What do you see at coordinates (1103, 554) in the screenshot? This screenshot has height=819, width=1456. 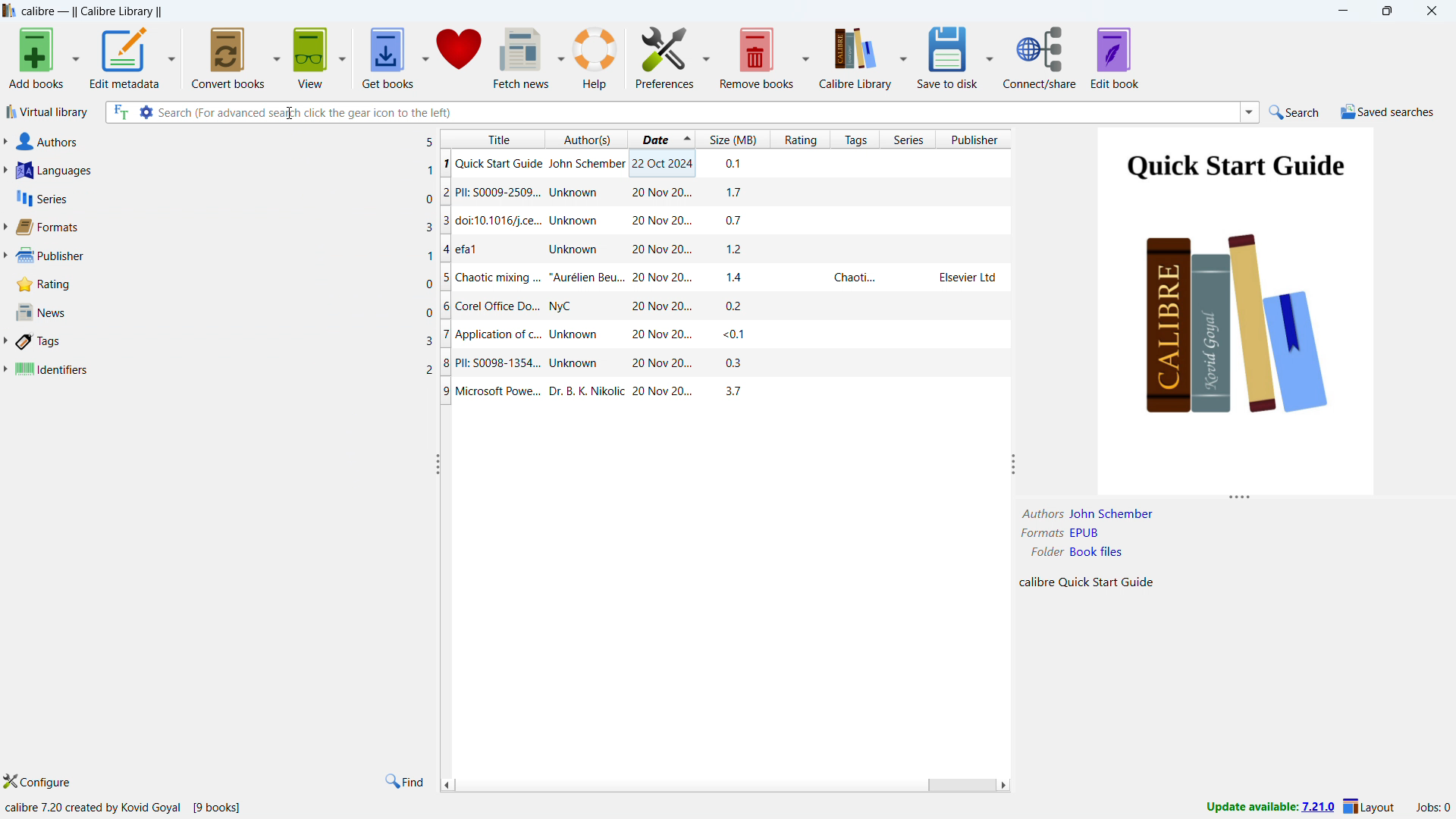 I see `Book FIles` at bounding box center [1103, 554].